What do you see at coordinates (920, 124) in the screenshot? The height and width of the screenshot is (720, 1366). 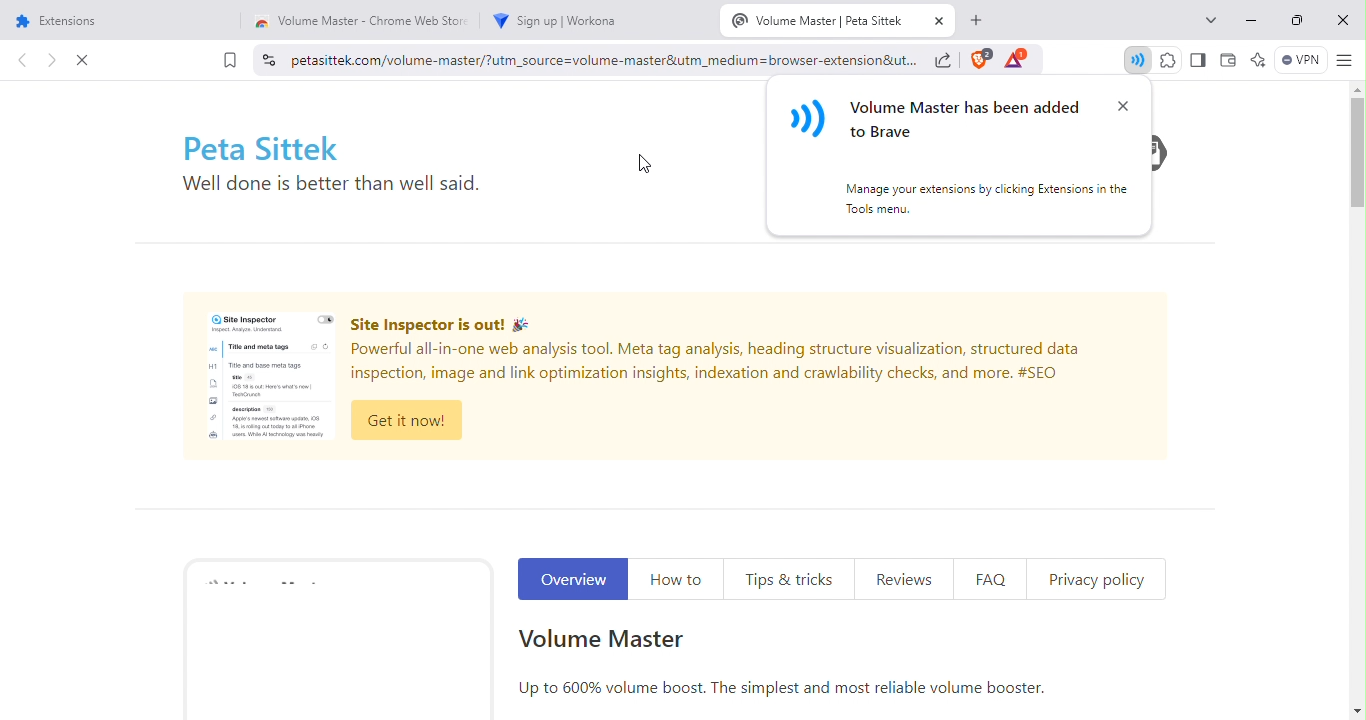 I see `Extension notification` at bounding box center [920, 124].